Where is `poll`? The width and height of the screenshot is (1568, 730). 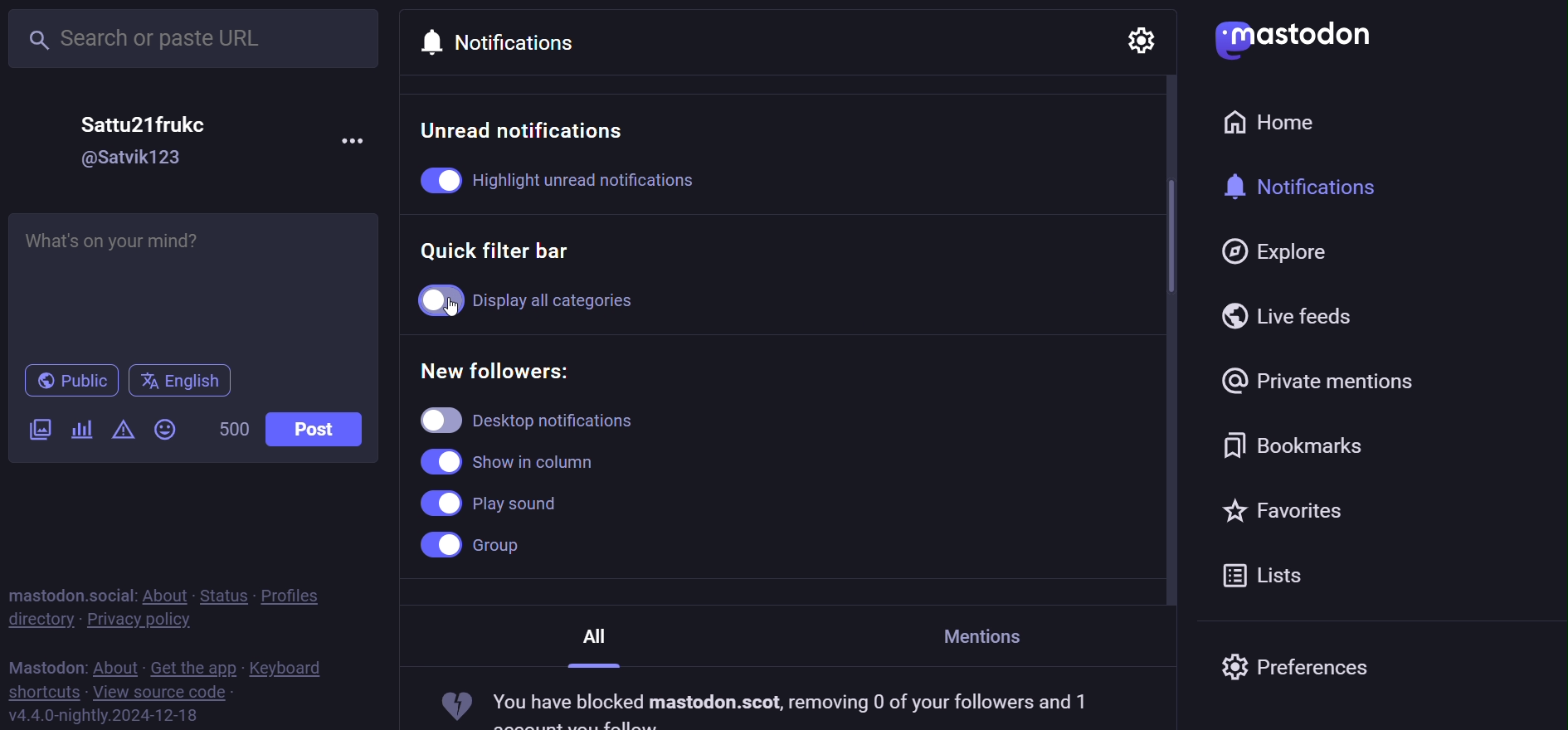 poll is located at coordinates (80, 431).